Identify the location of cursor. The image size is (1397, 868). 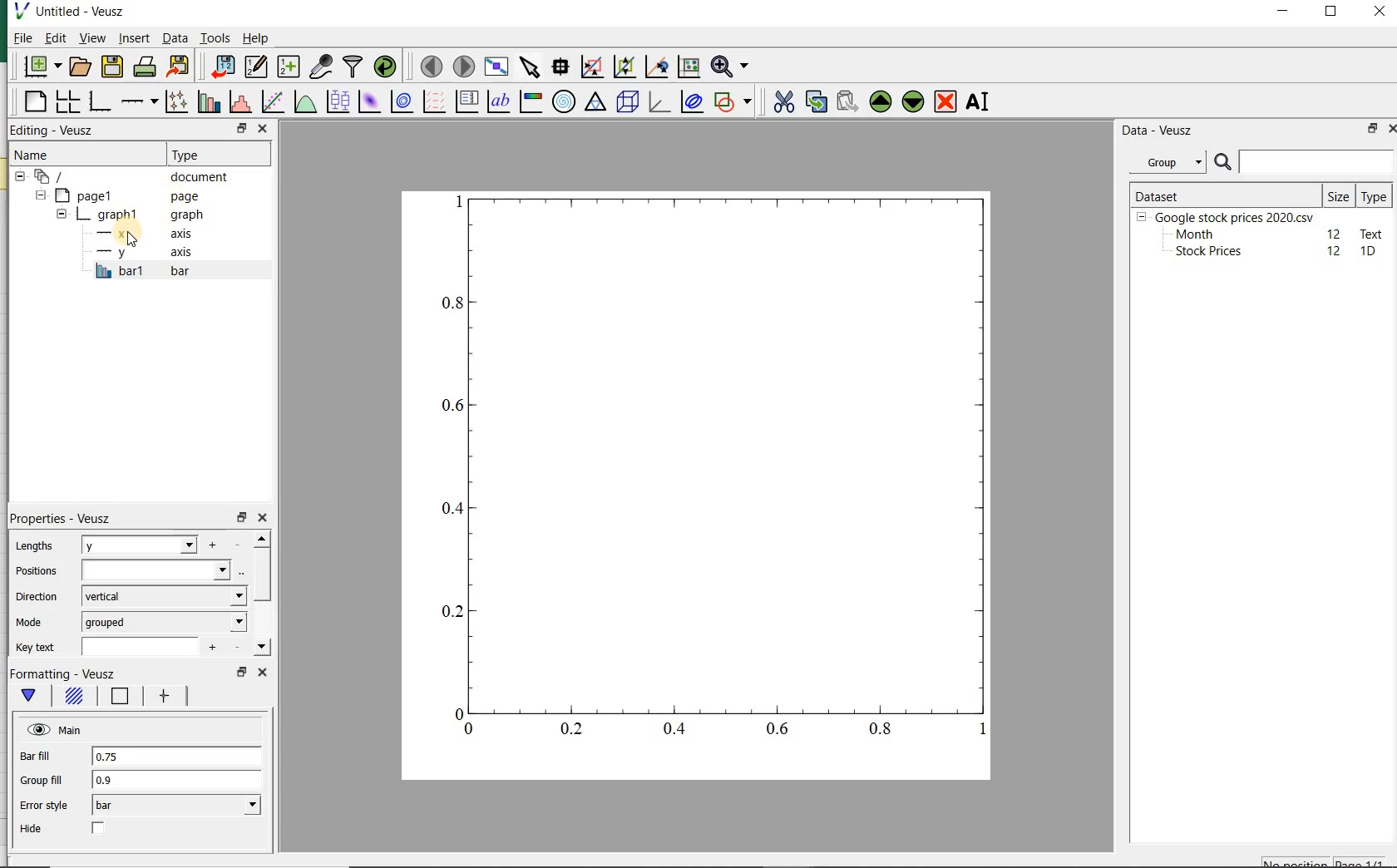
(133, 49).